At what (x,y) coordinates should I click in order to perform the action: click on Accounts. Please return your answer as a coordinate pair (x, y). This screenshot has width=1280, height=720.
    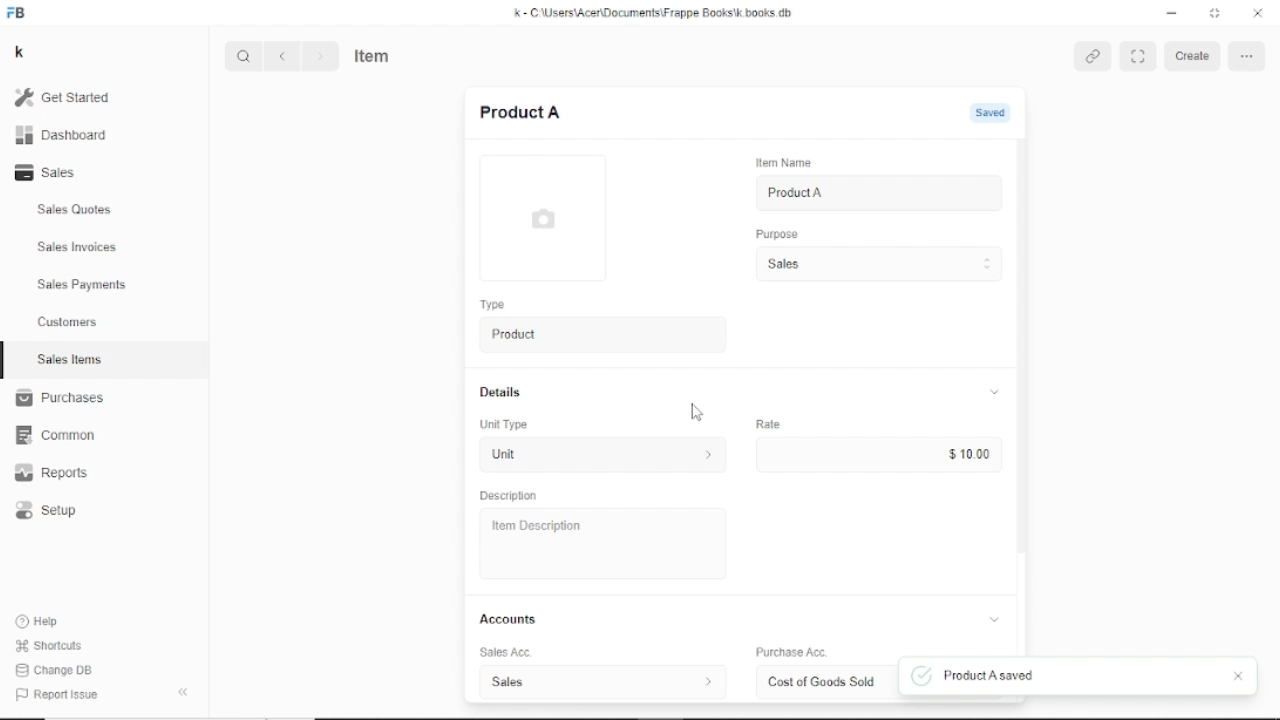
    Looking at the image, I should click on (743, 619).